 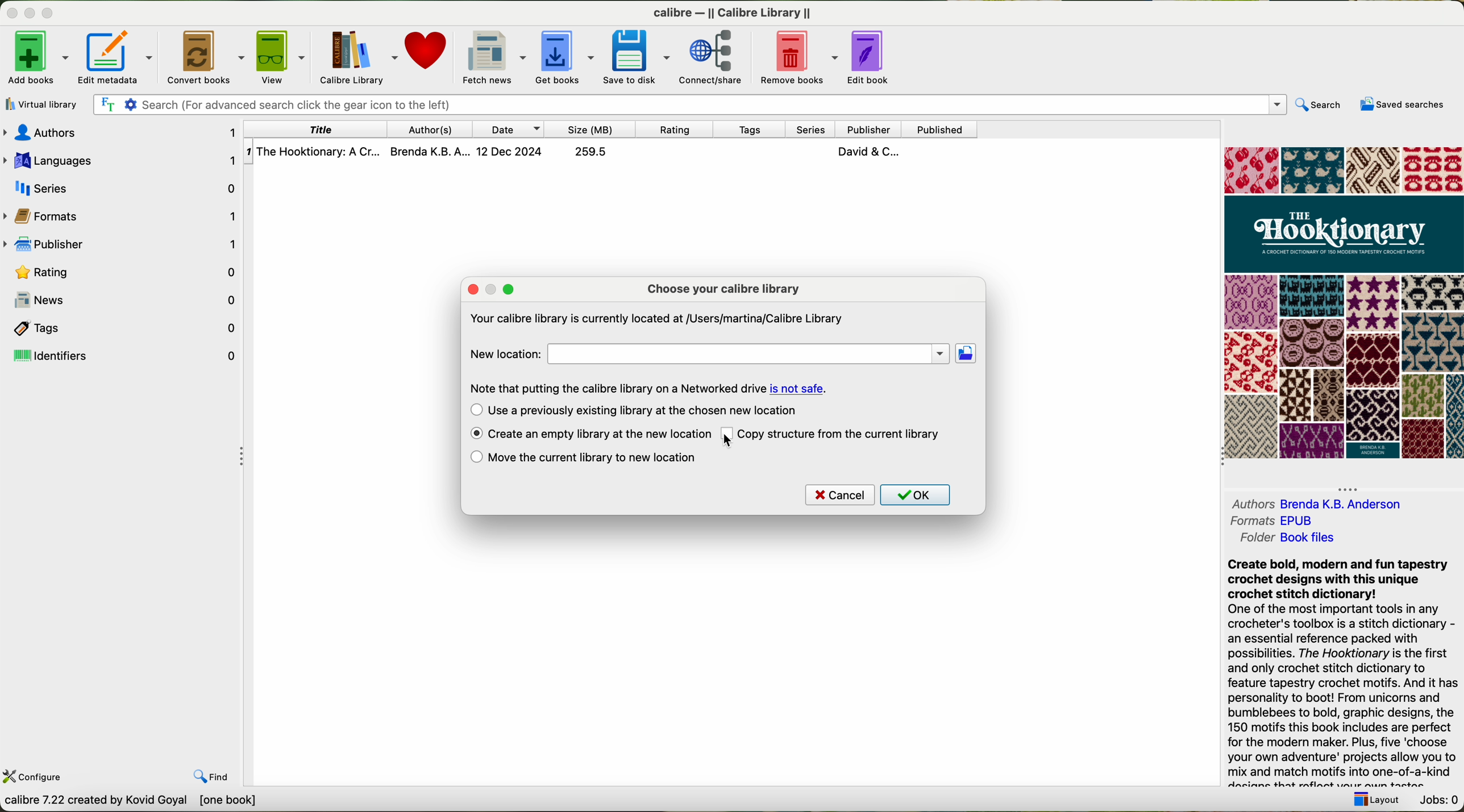 I want to click on minimize, so click(x=30, y=13).